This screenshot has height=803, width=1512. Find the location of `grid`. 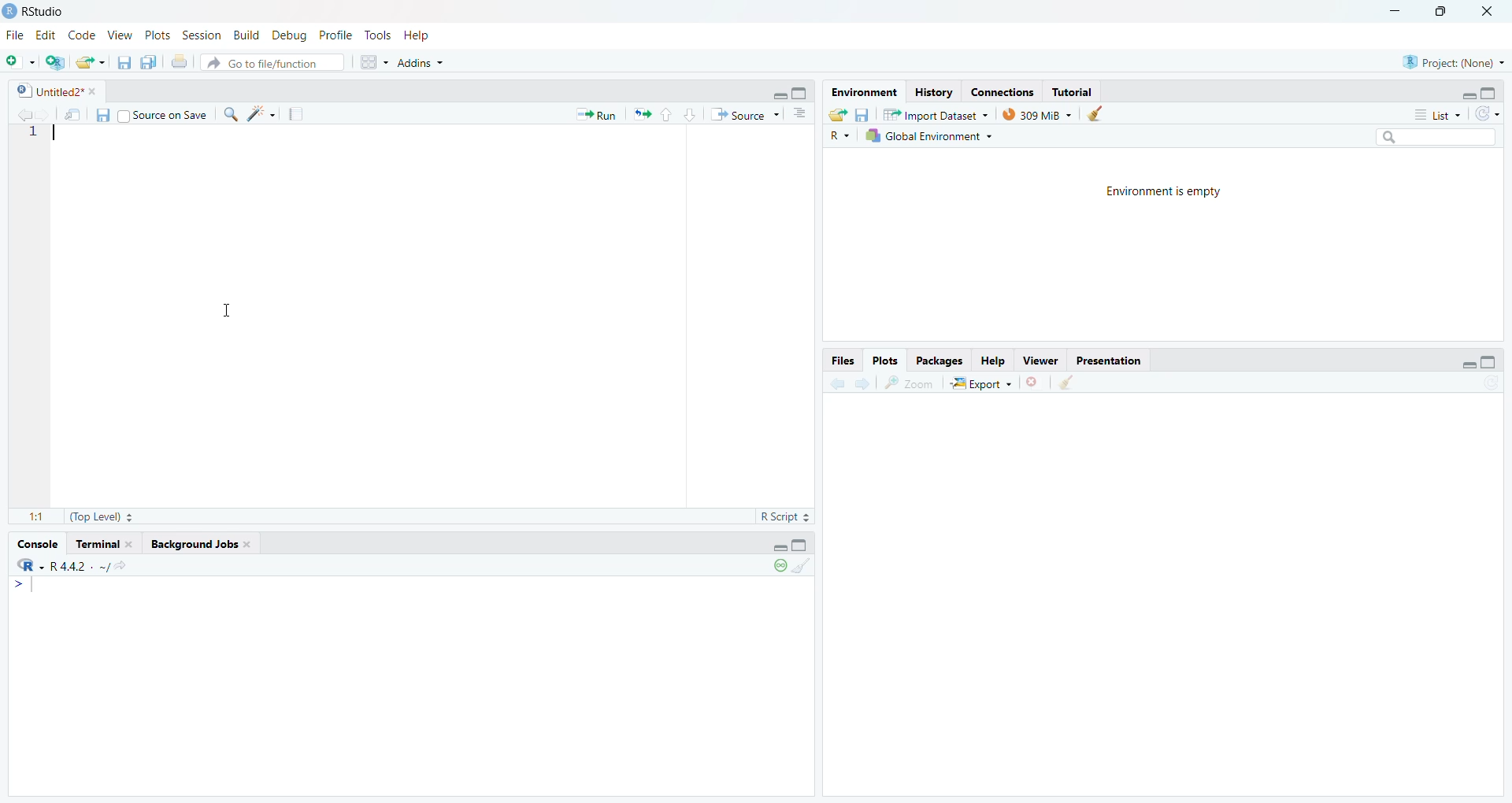

grid is located at coordinates (368, 65).